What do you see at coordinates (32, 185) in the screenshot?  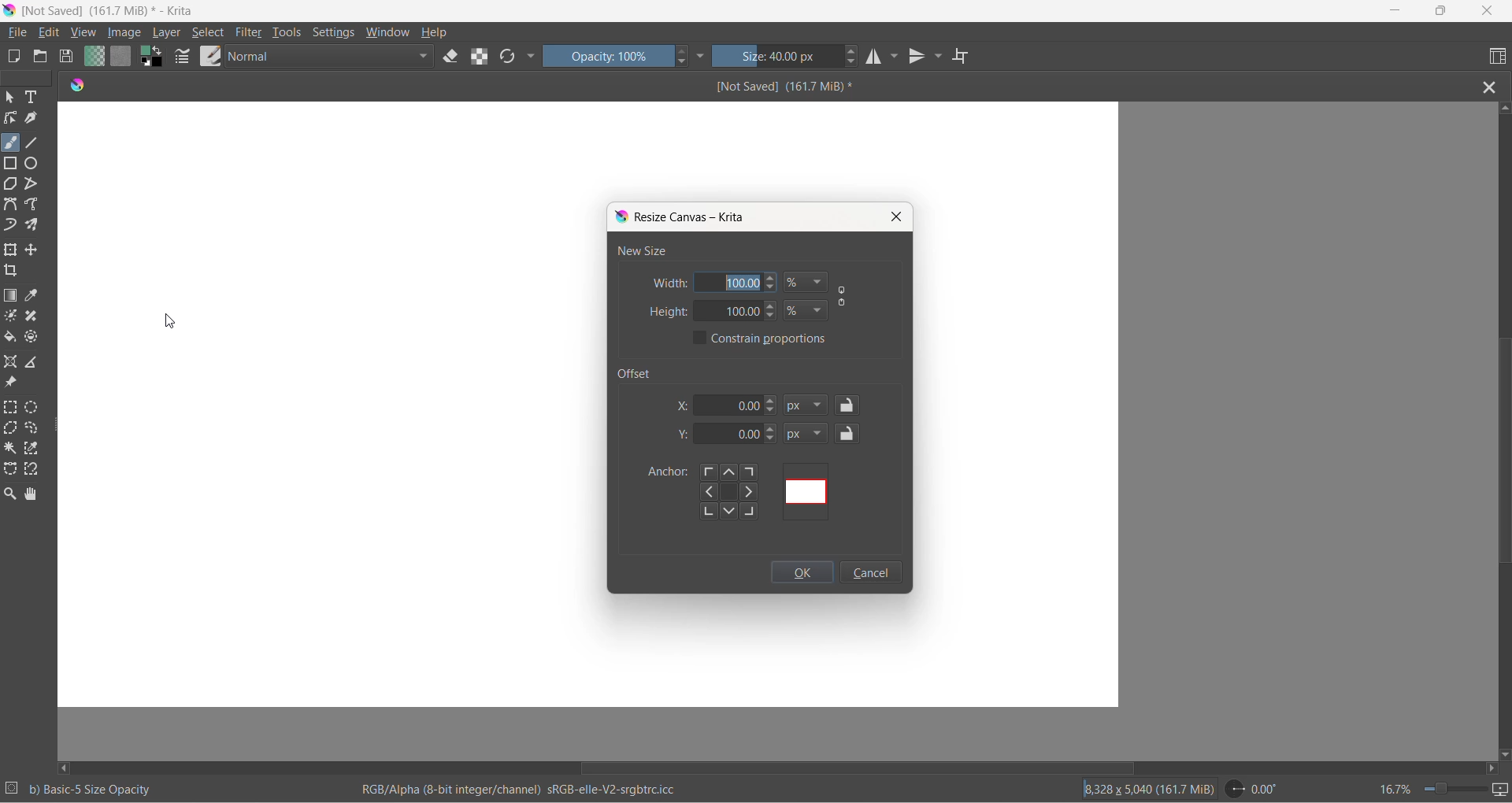 I see `polyline tool` at bounding box center [32, 185].